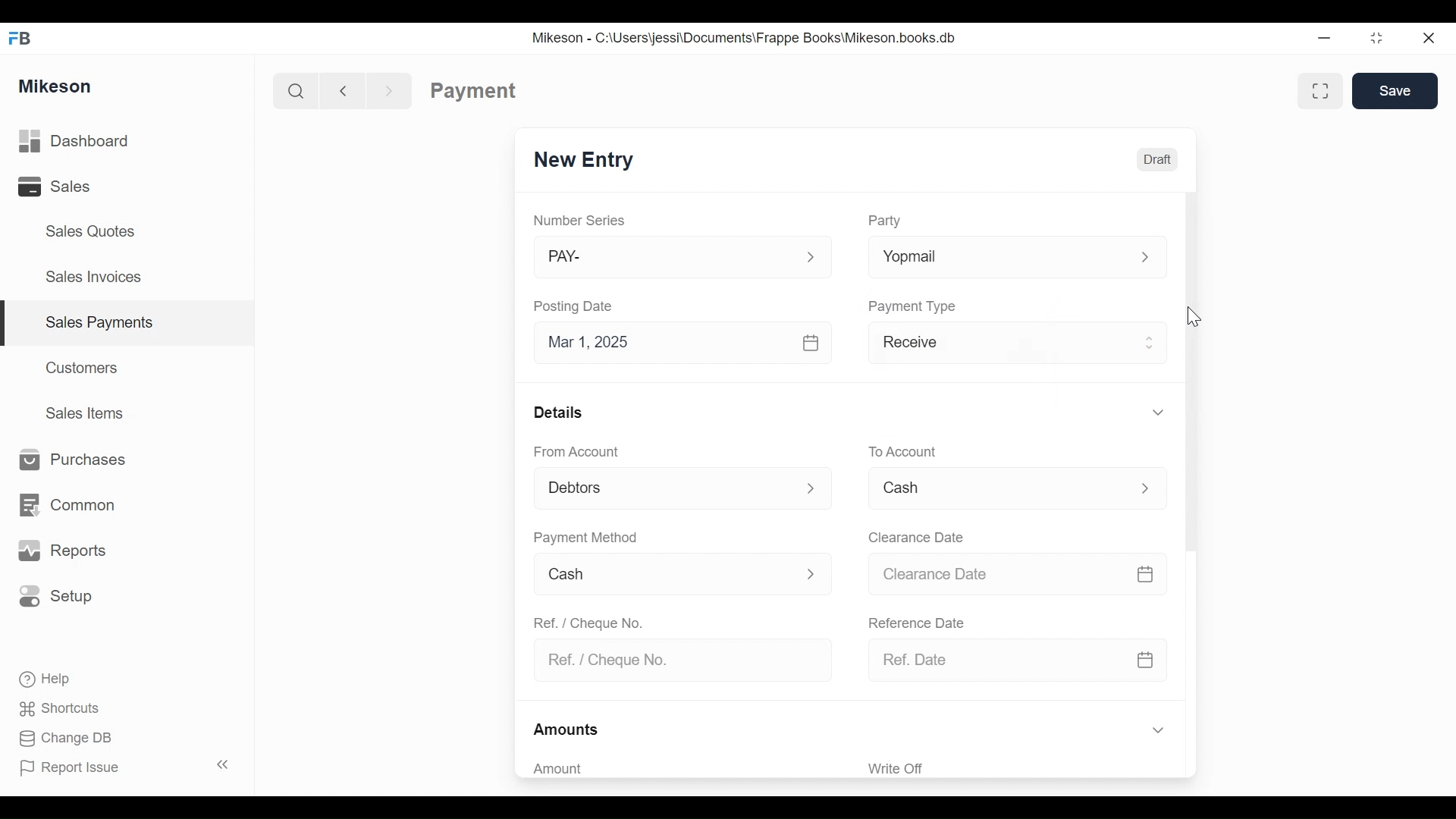  Describe the element at coordinates (226, 766) in the screenshot. I see `Collapse` at that location.